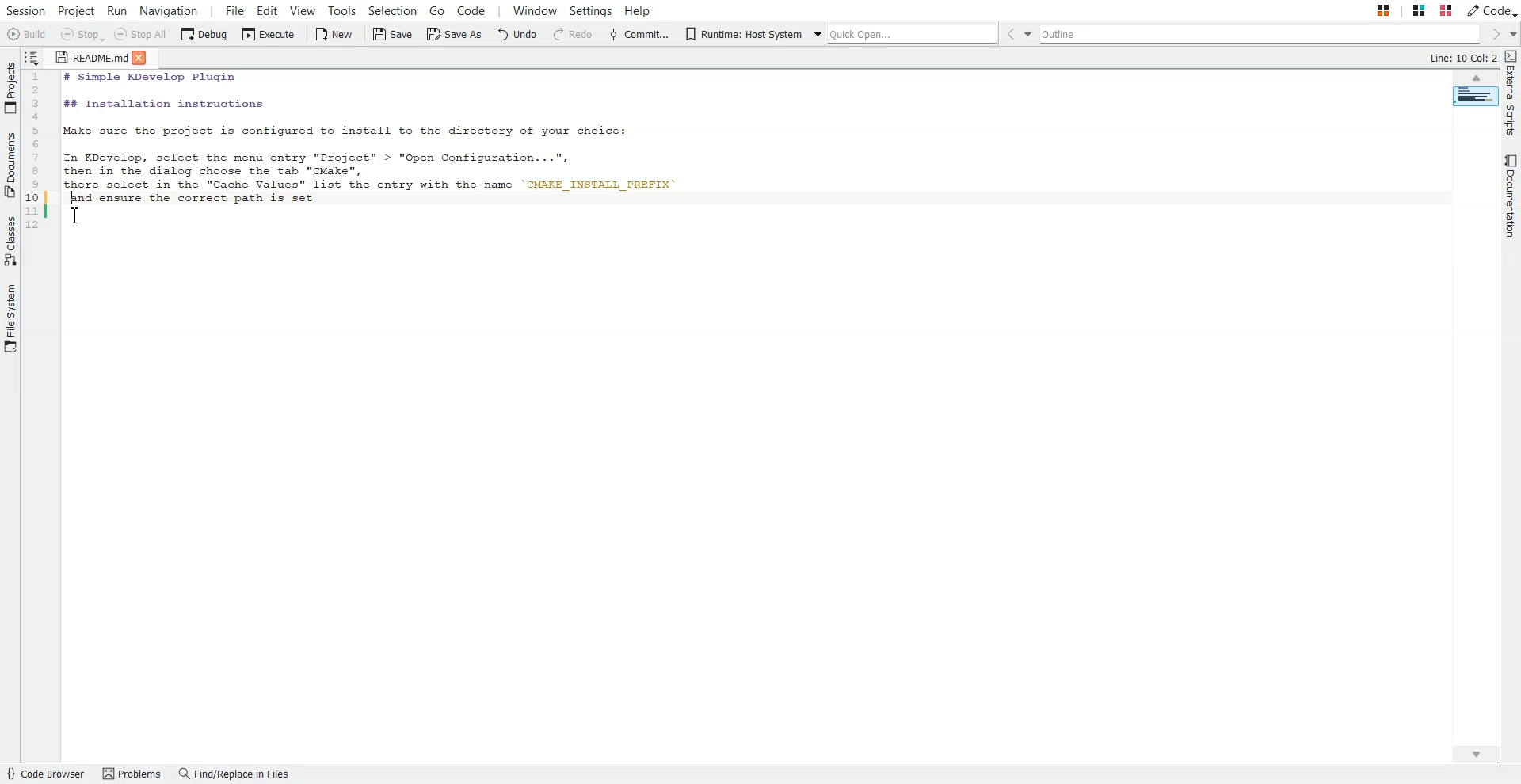 Image resolution: width=1521 pixels, height=784 pixels. What do you see at coordinates (203, 35) in the screenshot?
I see `Debug` at bounding box center [203, 35].